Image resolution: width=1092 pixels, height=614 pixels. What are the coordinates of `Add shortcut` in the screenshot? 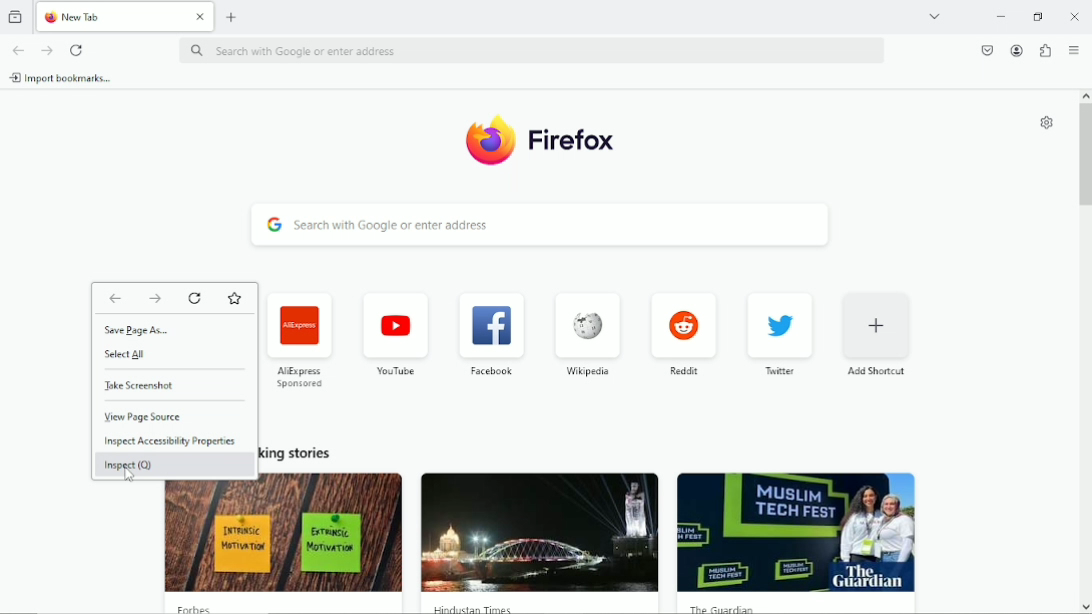 It's located at (878, 334).